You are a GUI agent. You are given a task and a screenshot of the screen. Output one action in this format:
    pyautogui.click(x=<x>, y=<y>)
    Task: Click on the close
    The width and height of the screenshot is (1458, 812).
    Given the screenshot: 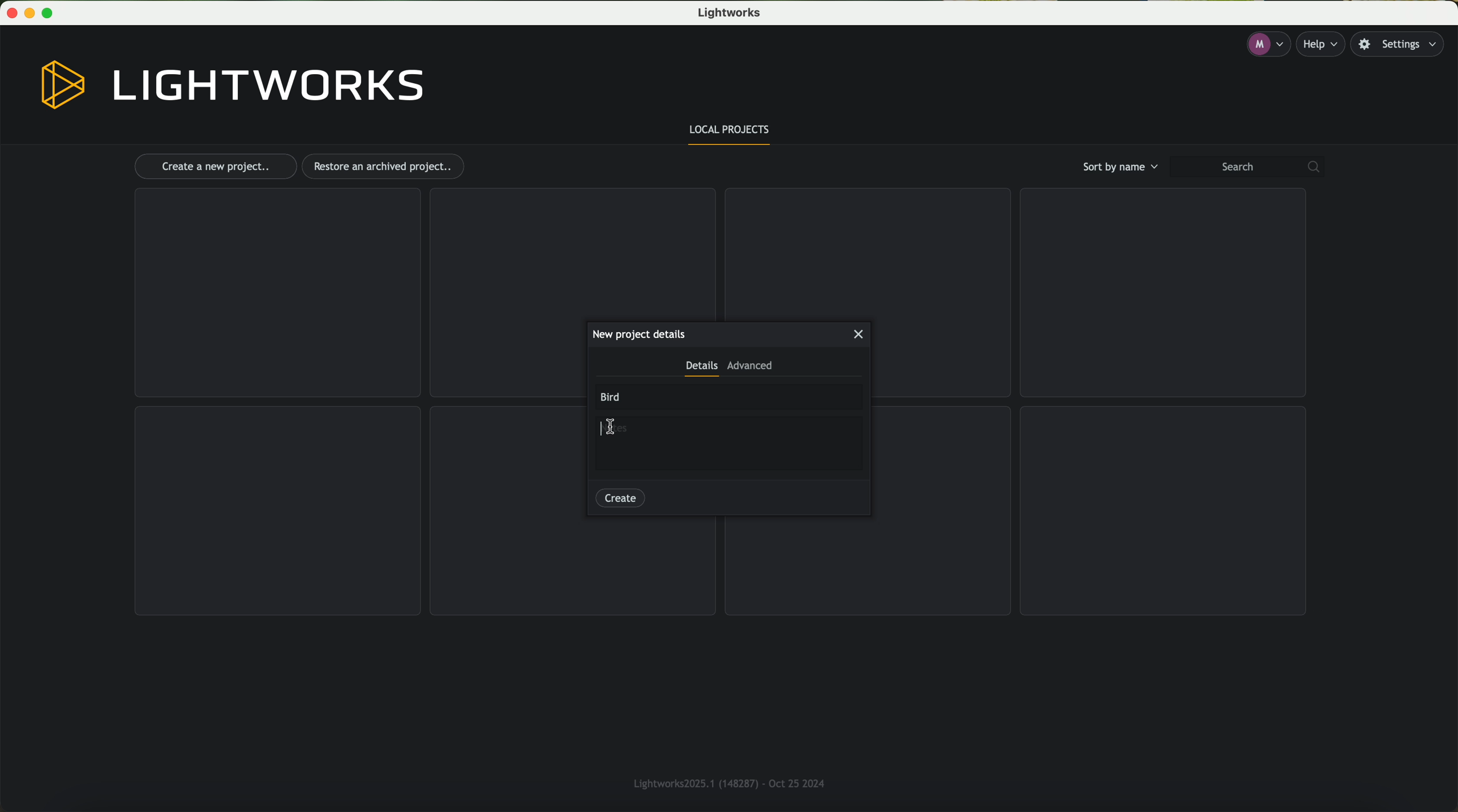 What is the action you would take?
    pyautogui.click(x=860, y=334)
    